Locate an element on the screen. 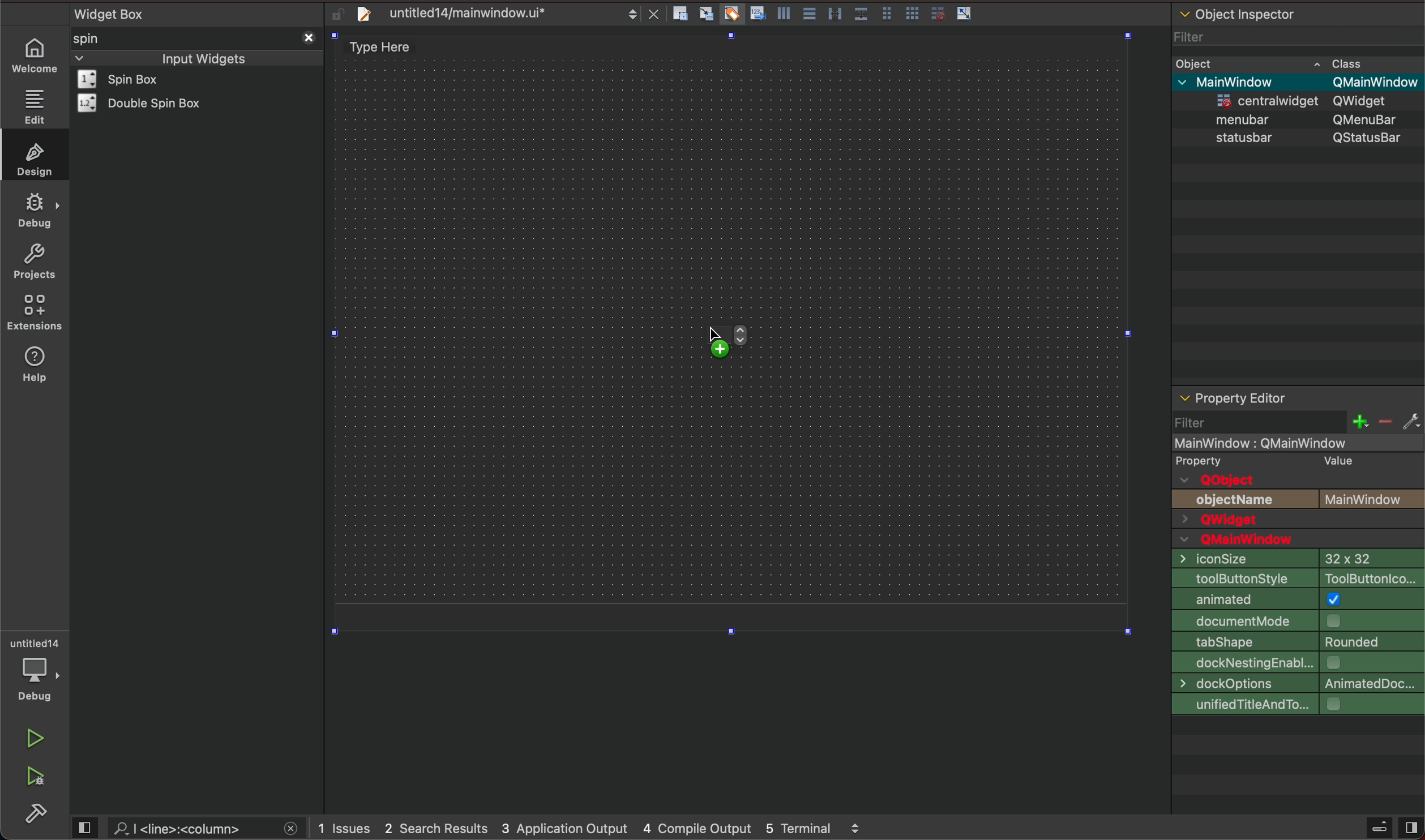 The height and width of the screenshot is (840, 1425). layout action is located at coordinates (827, 11).